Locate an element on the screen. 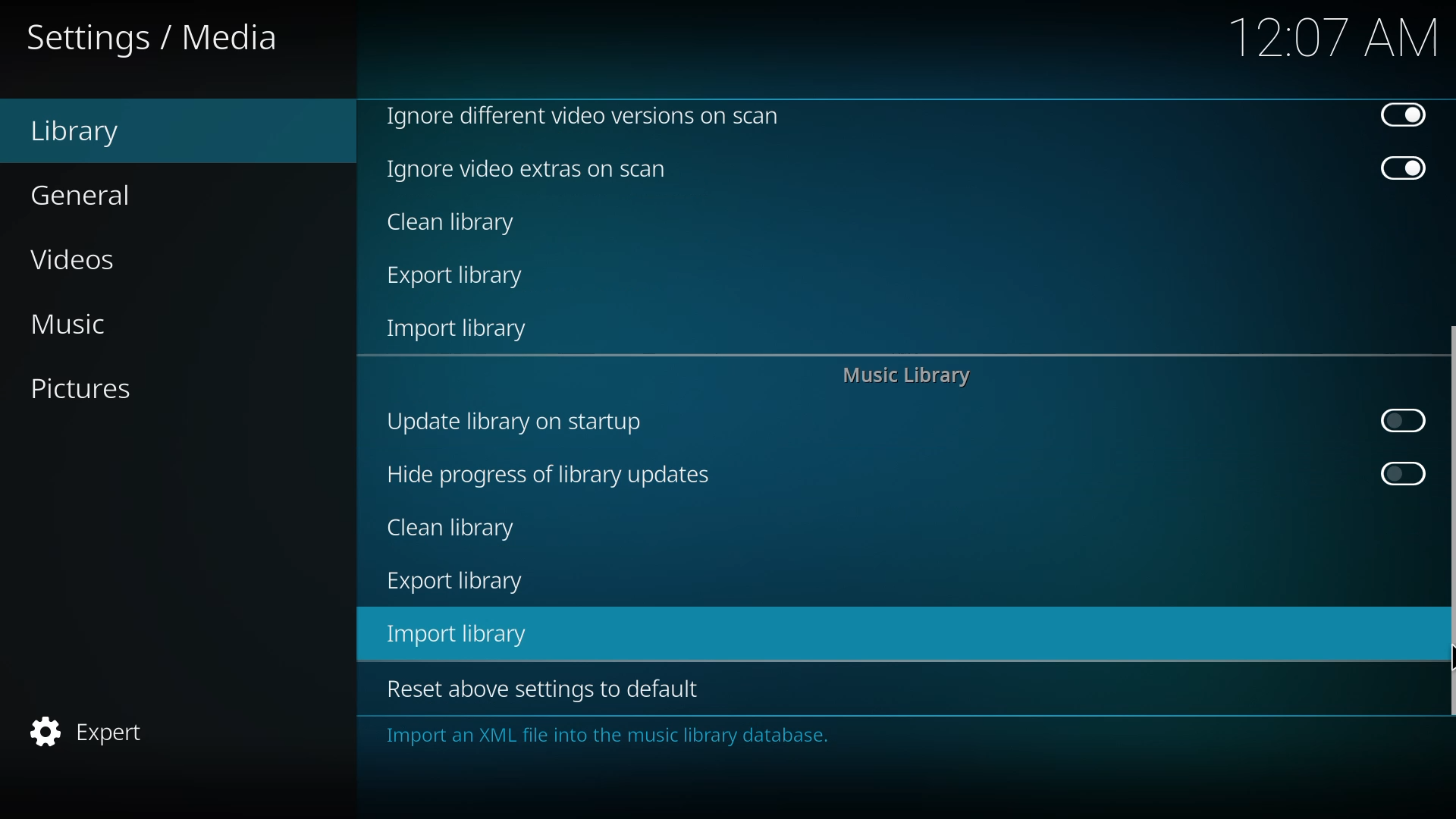  settings media is located at coordinates (155, 39).